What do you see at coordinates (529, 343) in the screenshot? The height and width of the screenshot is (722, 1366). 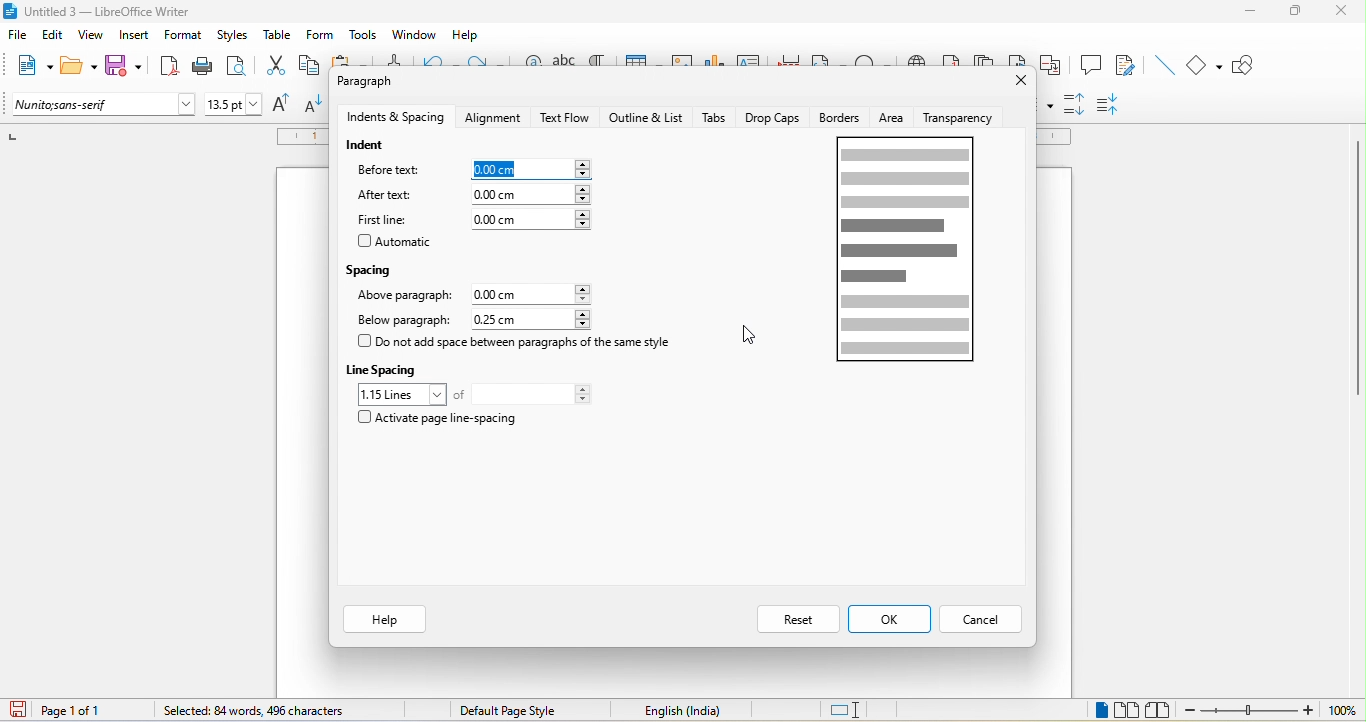 I see `do not add space between paragraph of the same style` at bounding box center [529, 343].